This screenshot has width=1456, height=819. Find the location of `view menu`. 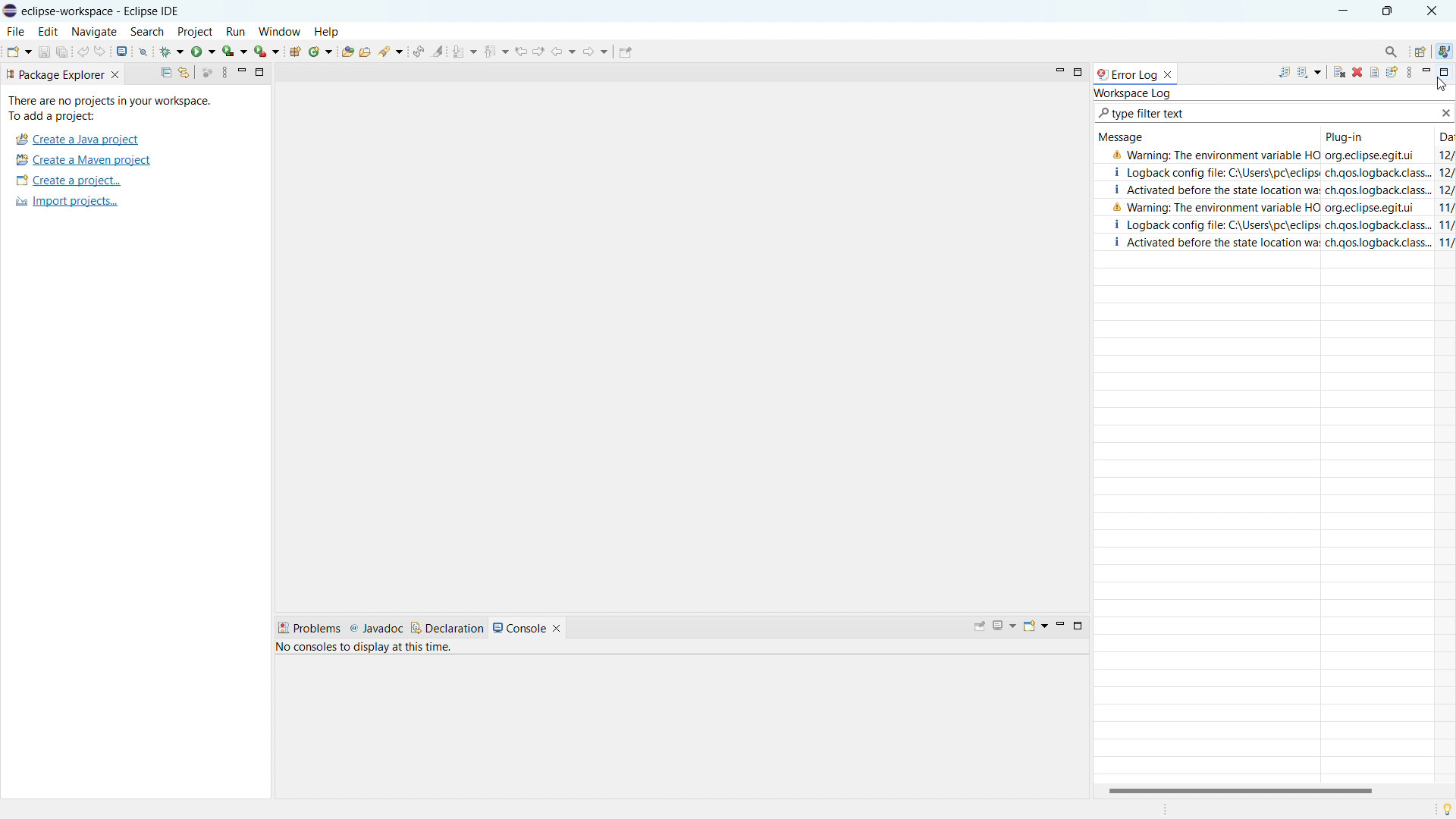

view menu is located at coordinates (1407, 73).